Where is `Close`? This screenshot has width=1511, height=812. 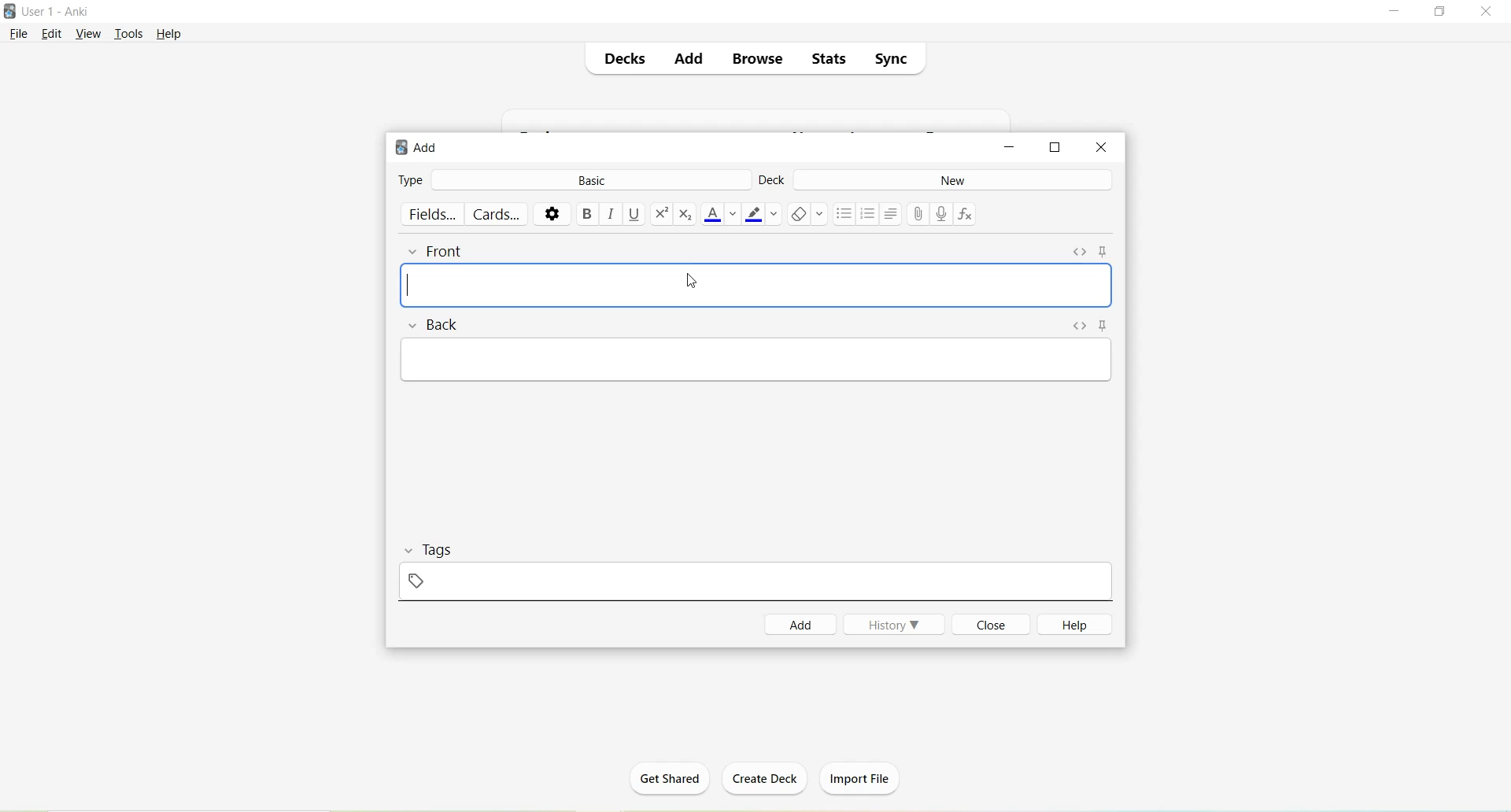 Close is located at coordinates (1486, 12).